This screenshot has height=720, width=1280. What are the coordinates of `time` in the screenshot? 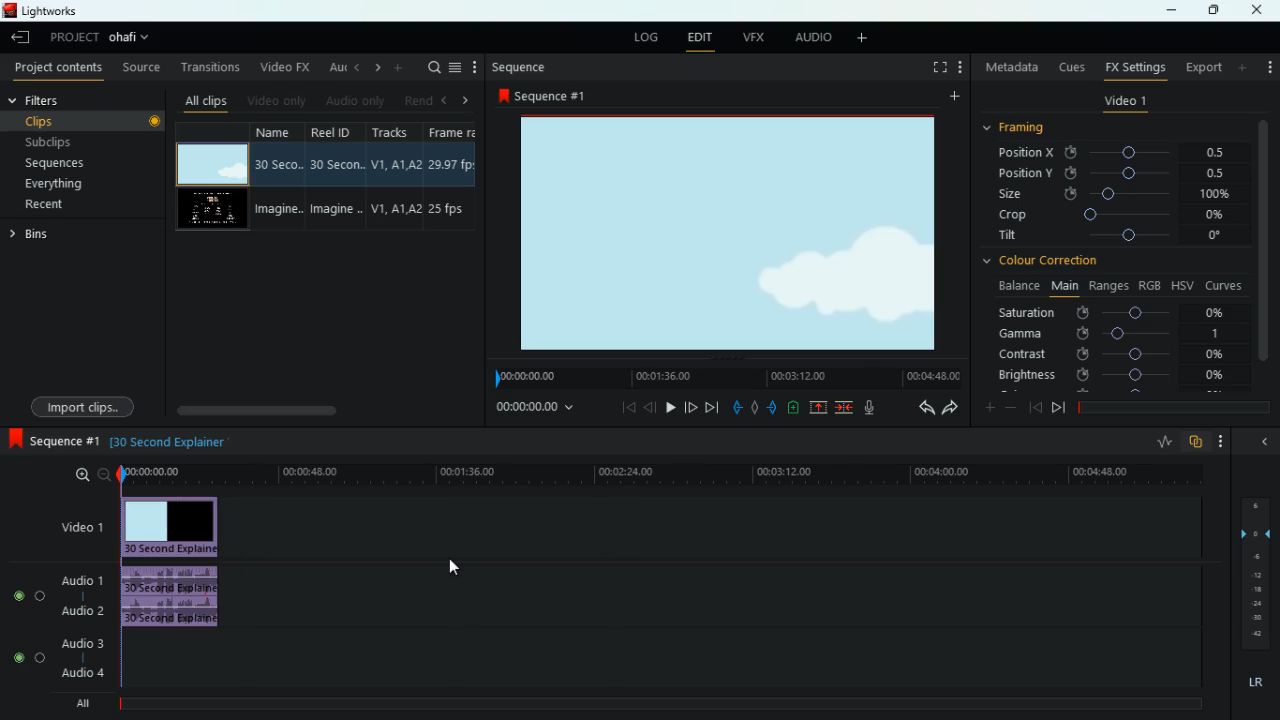 It's located at (538, 408).